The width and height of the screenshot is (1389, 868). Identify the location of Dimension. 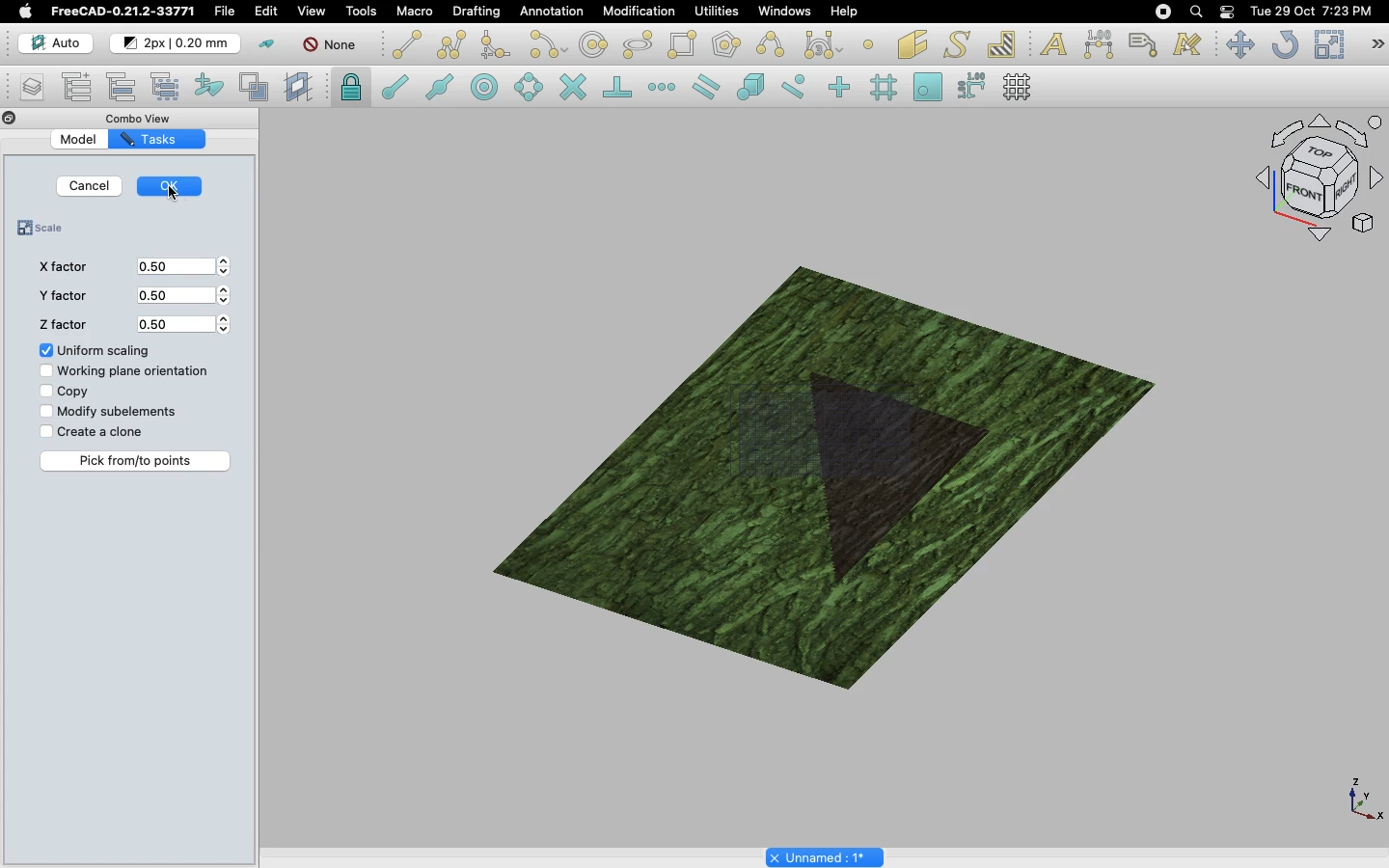
(1097, 43).